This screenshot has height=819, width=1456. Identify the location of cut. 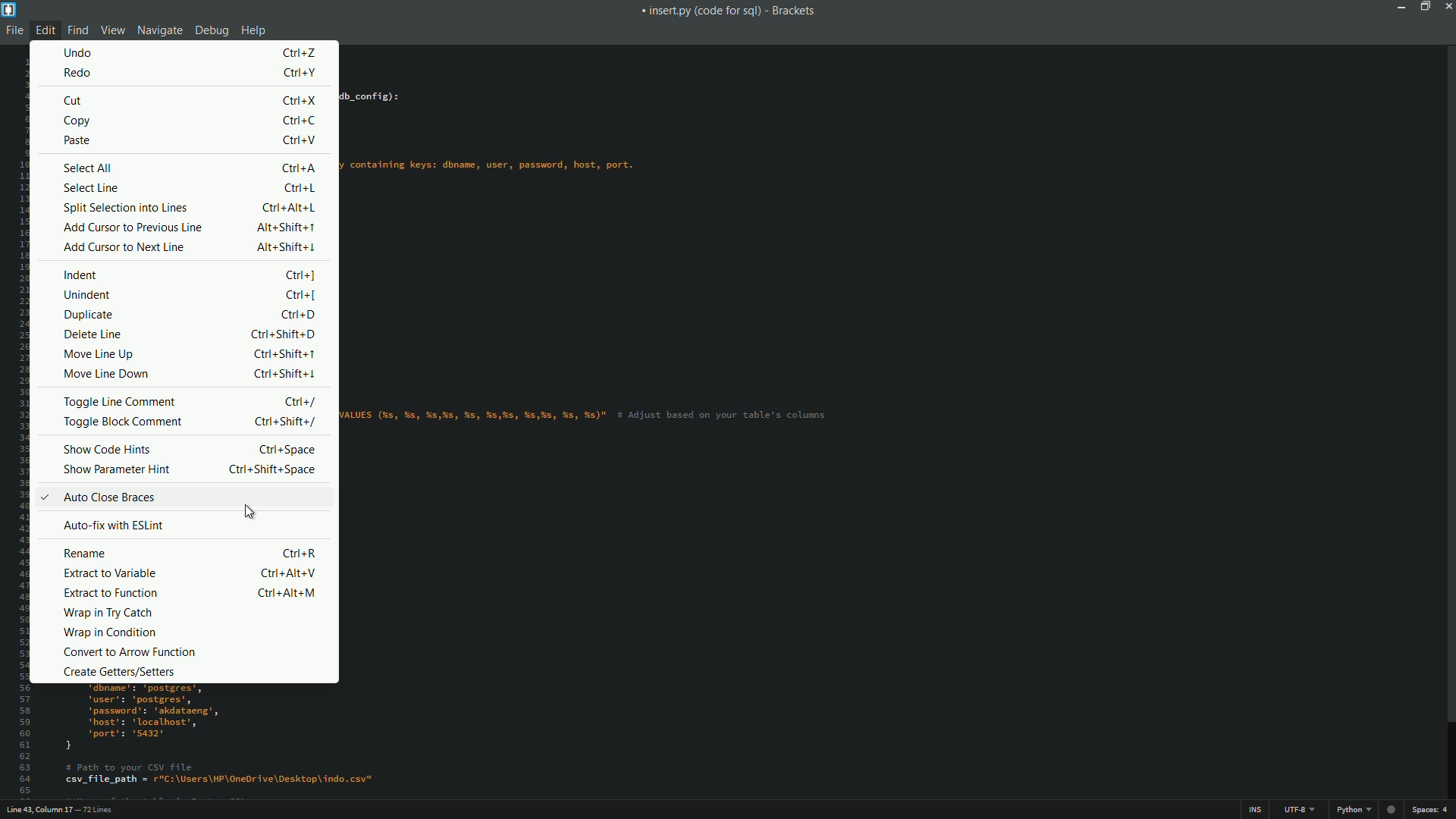
(74, 101).